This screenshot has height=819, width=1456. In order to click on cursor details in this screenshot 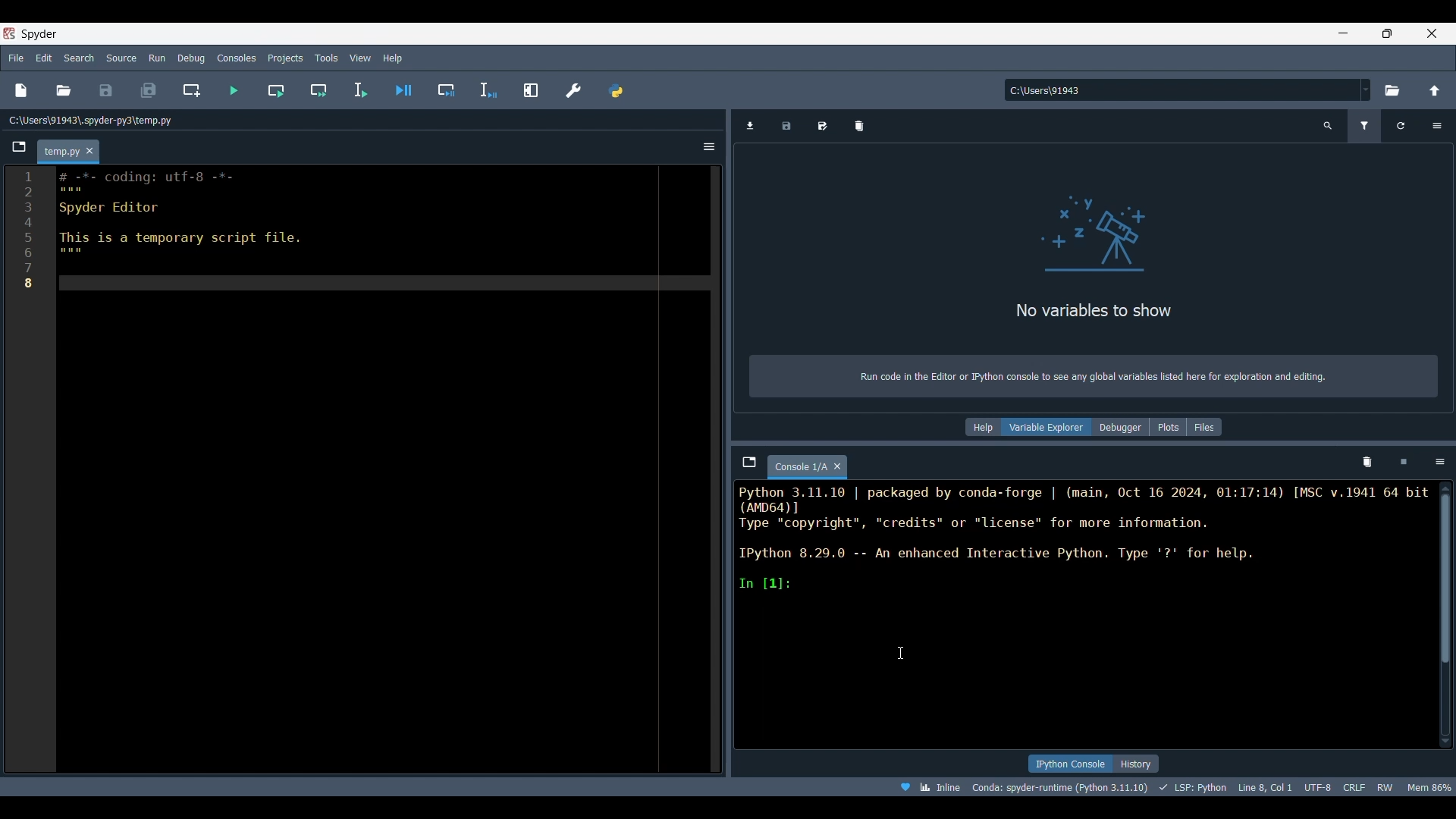, I will do `click(1263, 786)`.